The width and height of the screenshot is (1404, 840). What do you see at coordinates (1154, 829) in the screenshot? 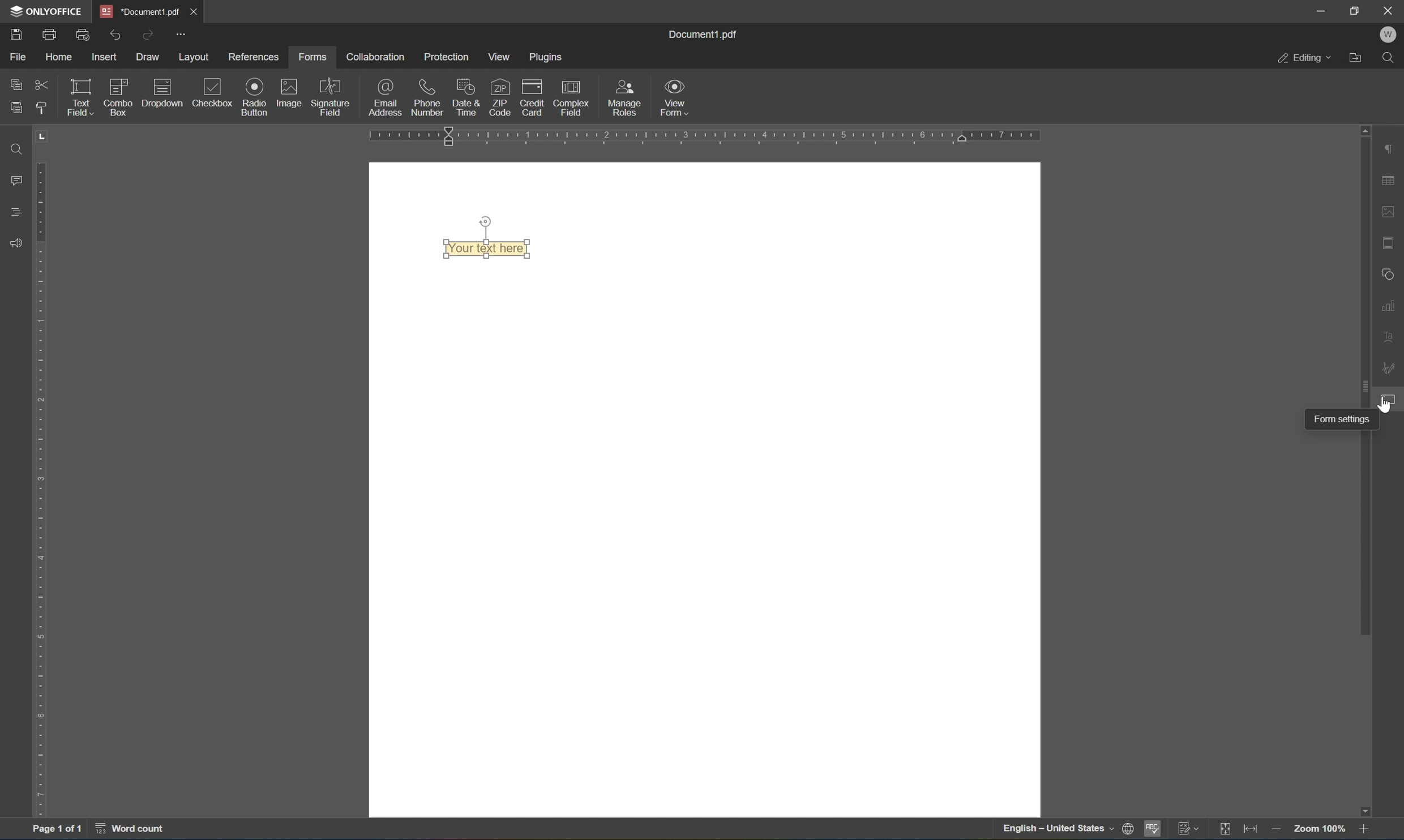
I see `spell checking` at bounding box center [1154, 829].